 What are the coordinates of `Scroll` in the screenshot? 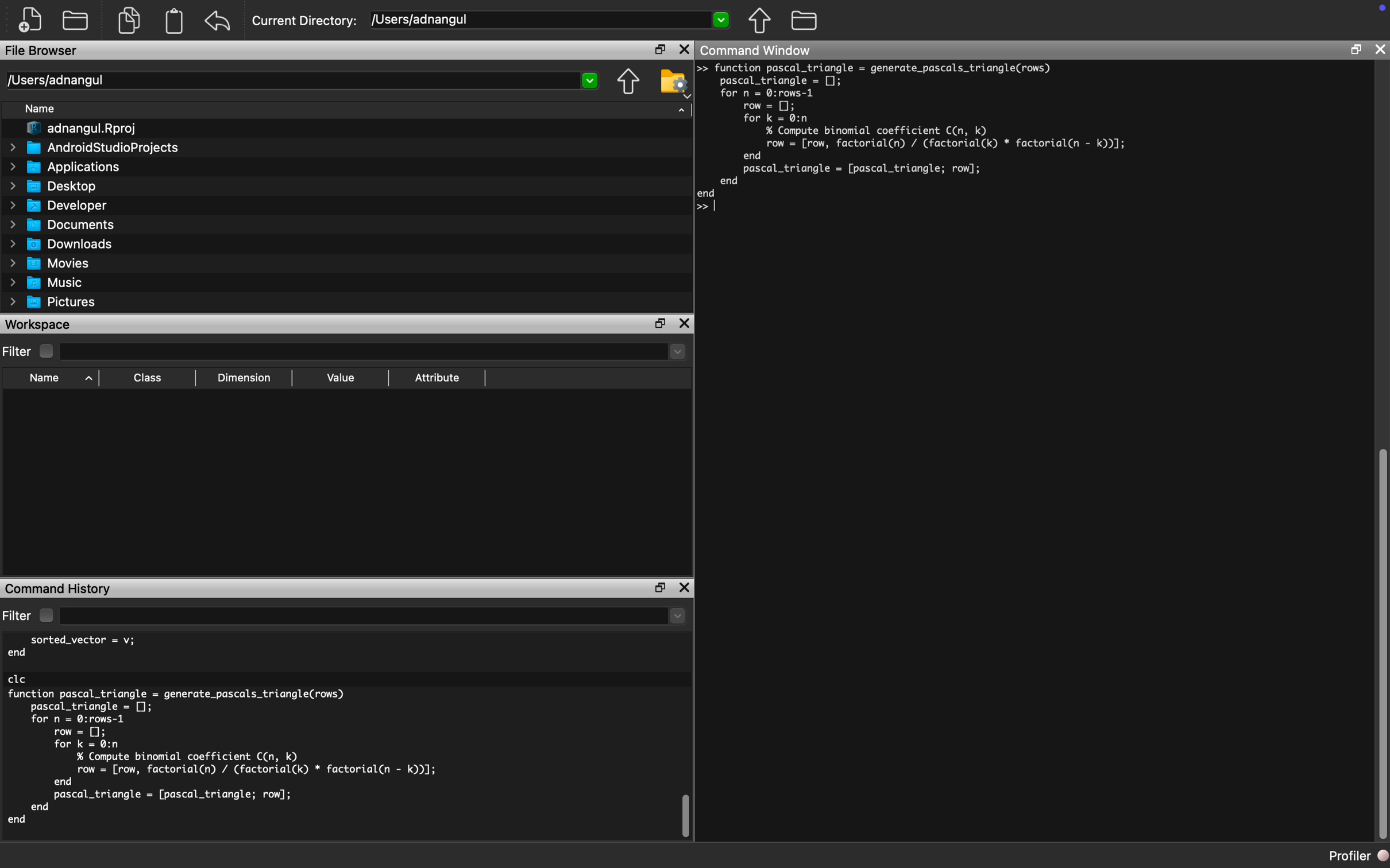 It's located at (1380, 455).